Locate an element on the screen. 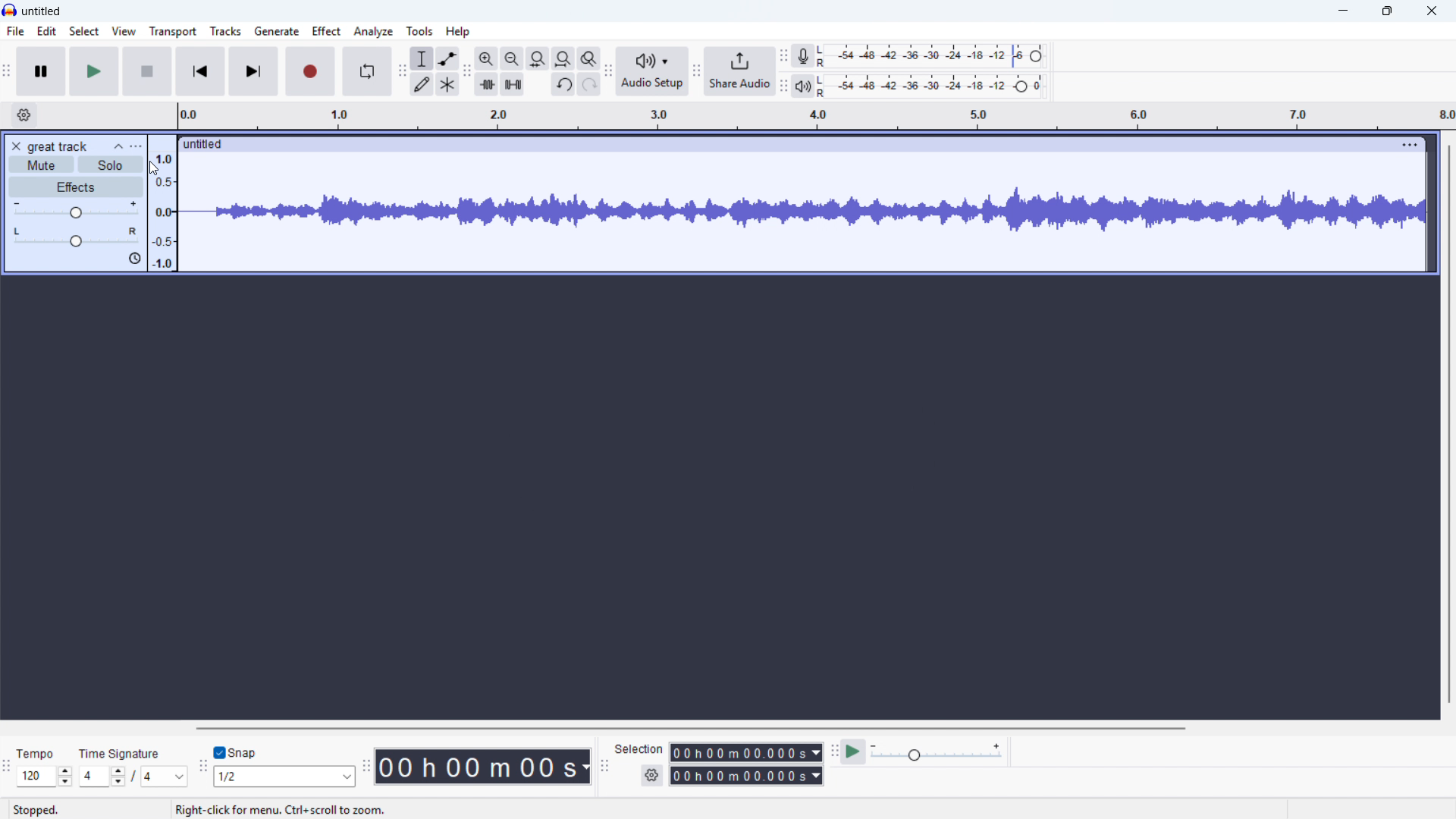 This screenshot has width=1456, height=819. Fit project to width  is located at coordinates (538, 59).